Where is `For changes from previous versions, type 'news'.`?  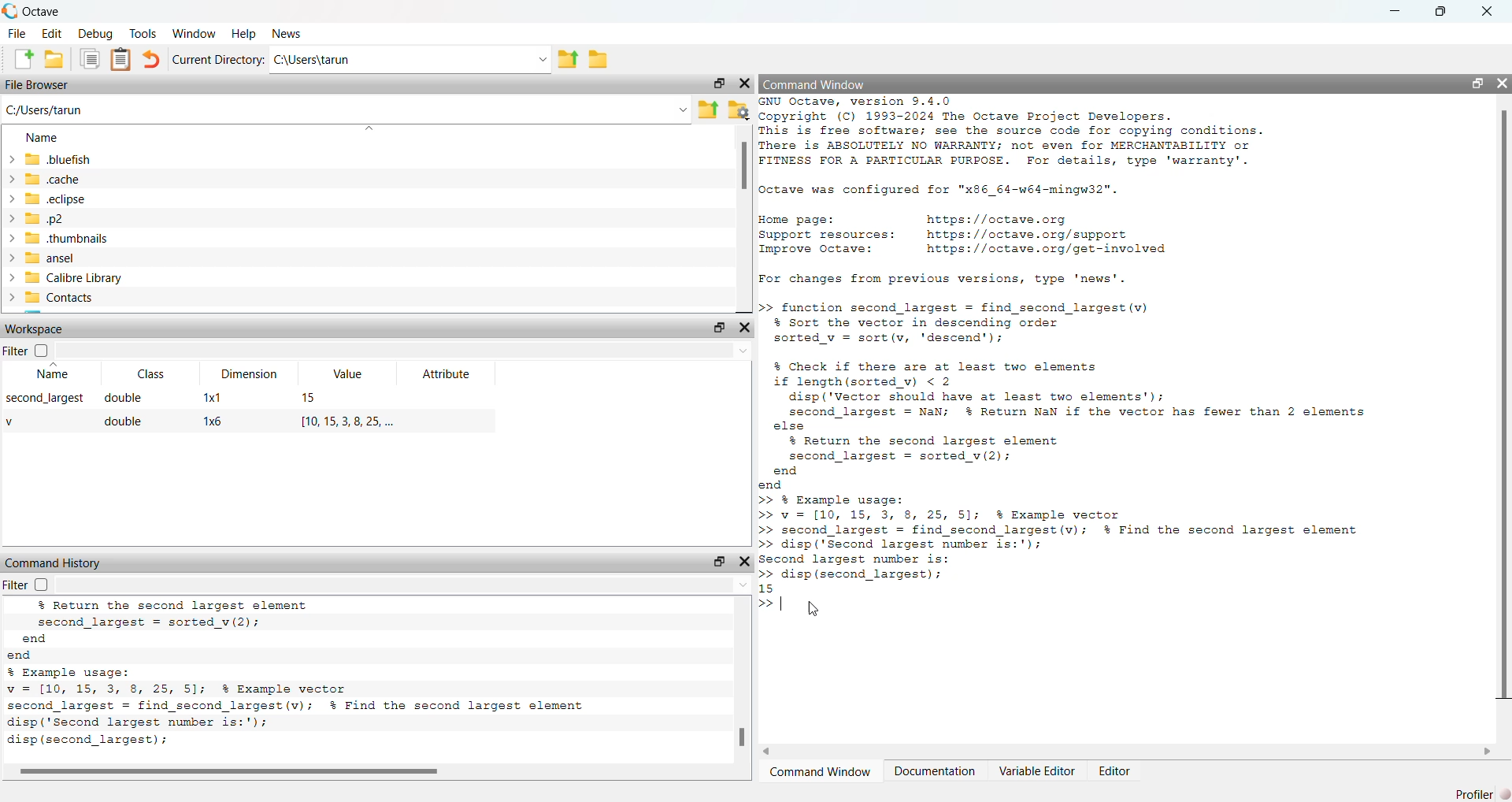 For changes from previous versions, type 'news'. is located at coordinates (954, 279).